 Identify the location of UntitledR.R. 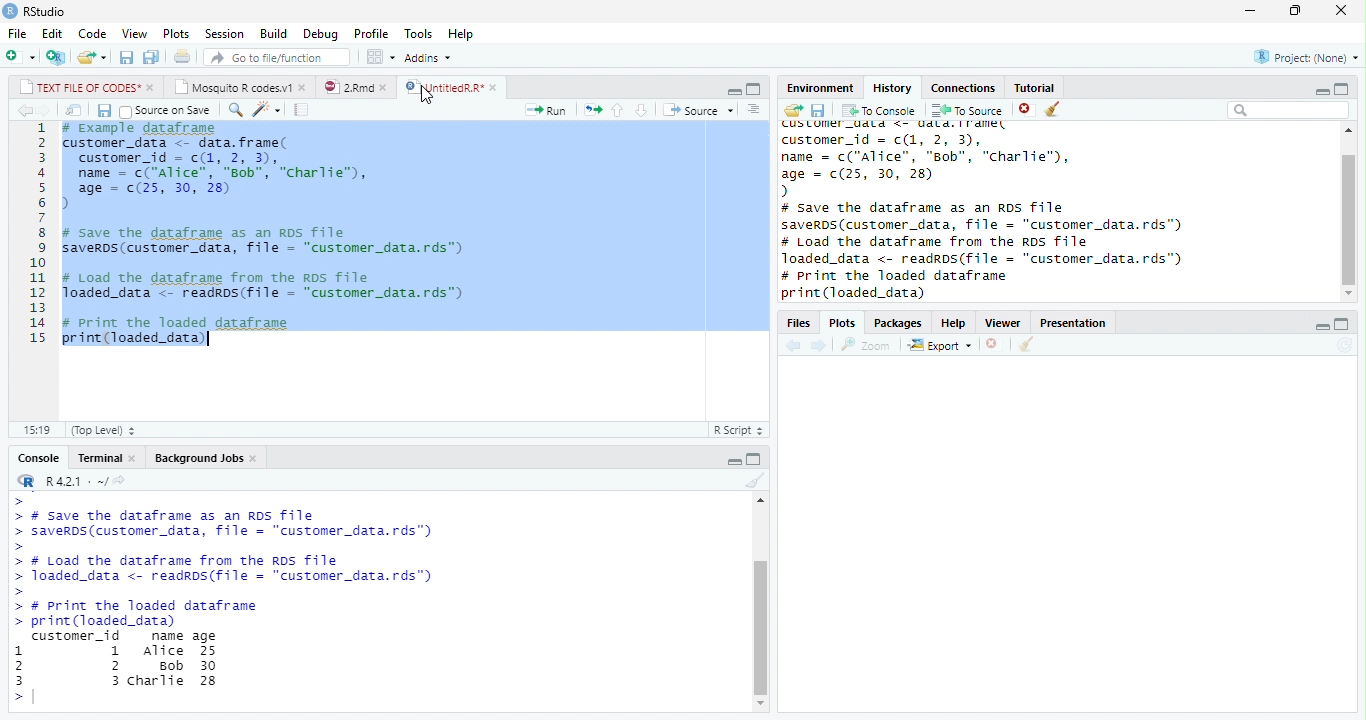
(443, 86).